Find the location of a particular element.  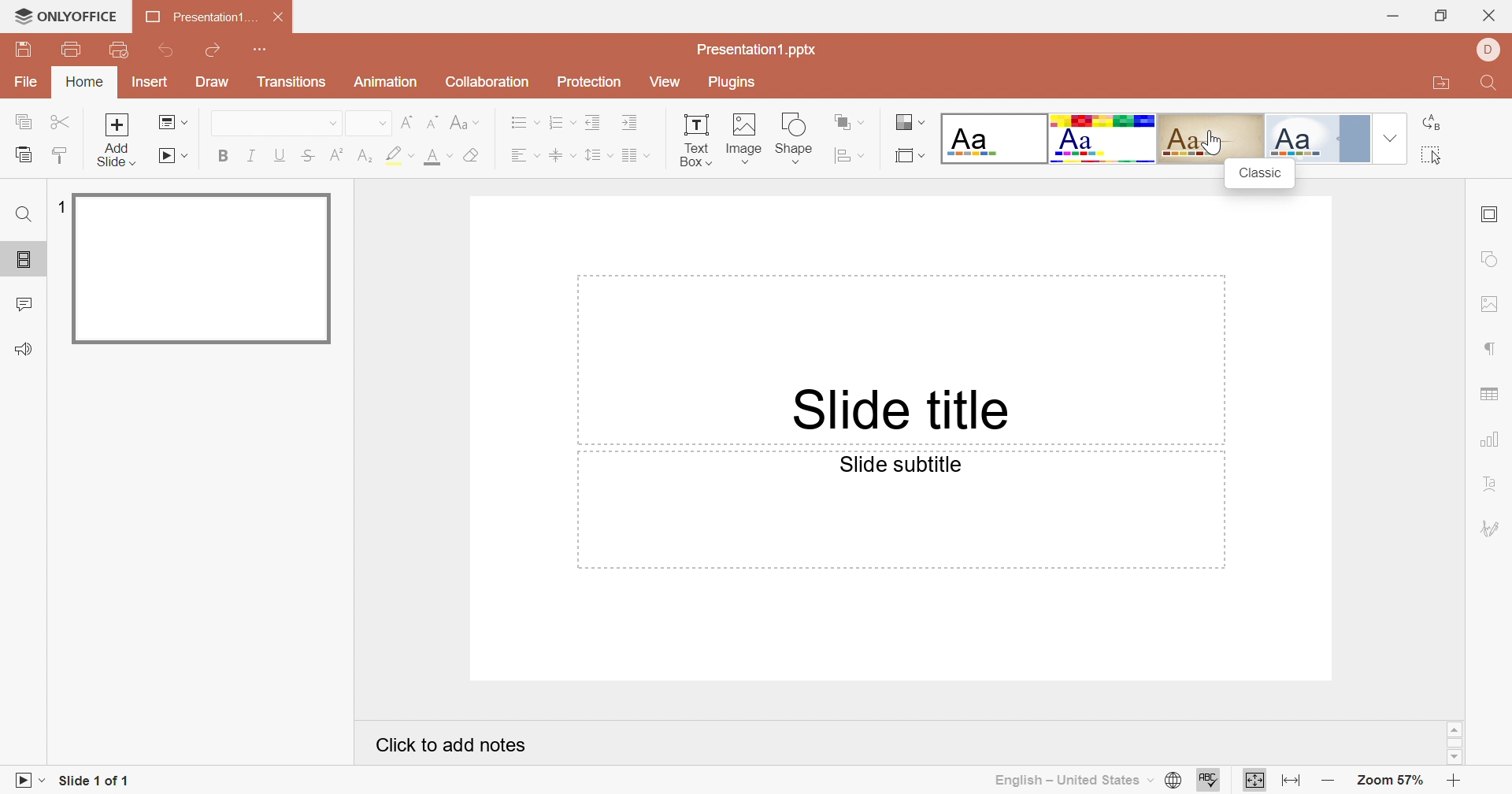

Bold is located at coordinates (223, 157).